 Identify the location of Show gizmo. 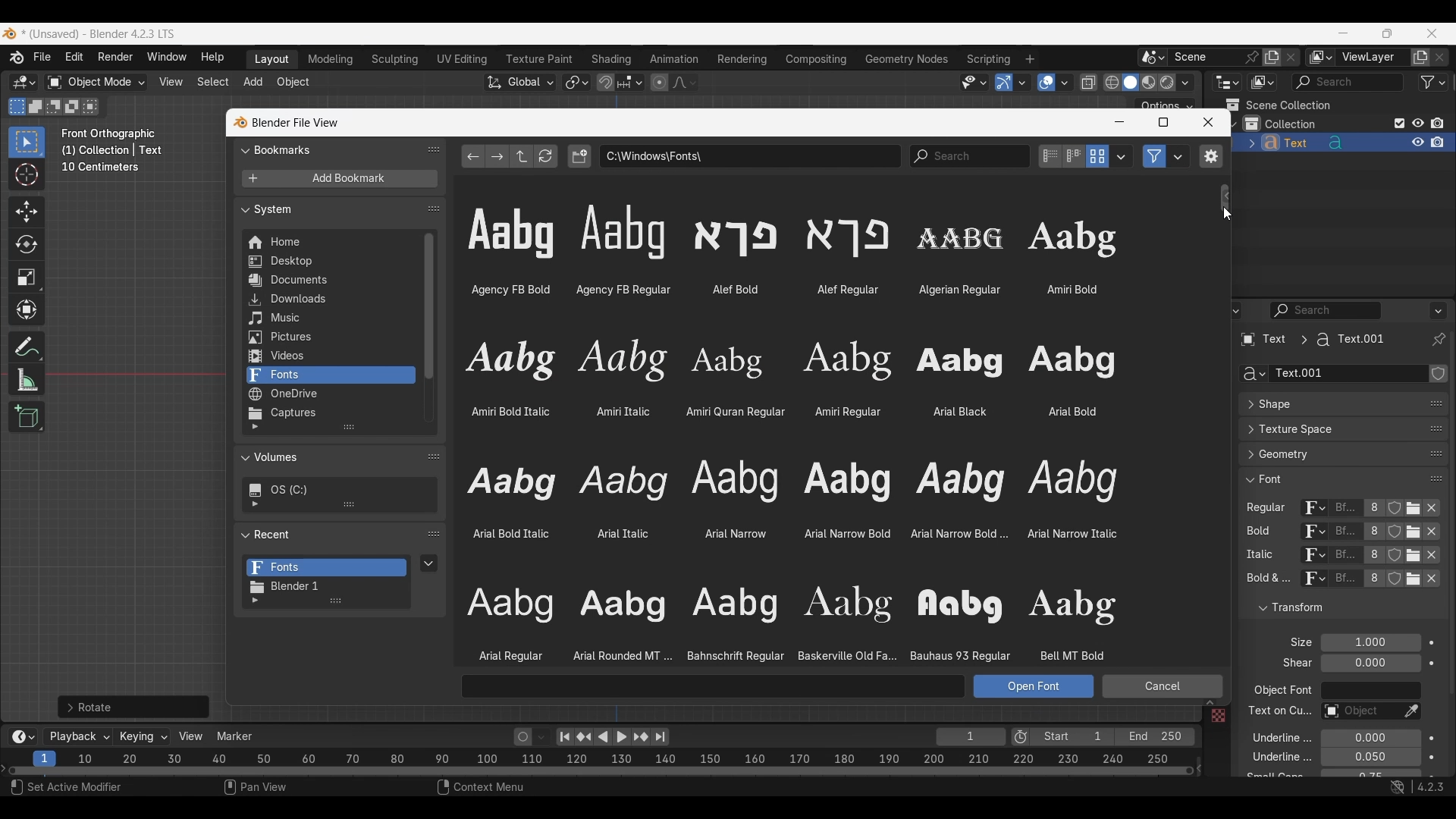
(1004, 83).